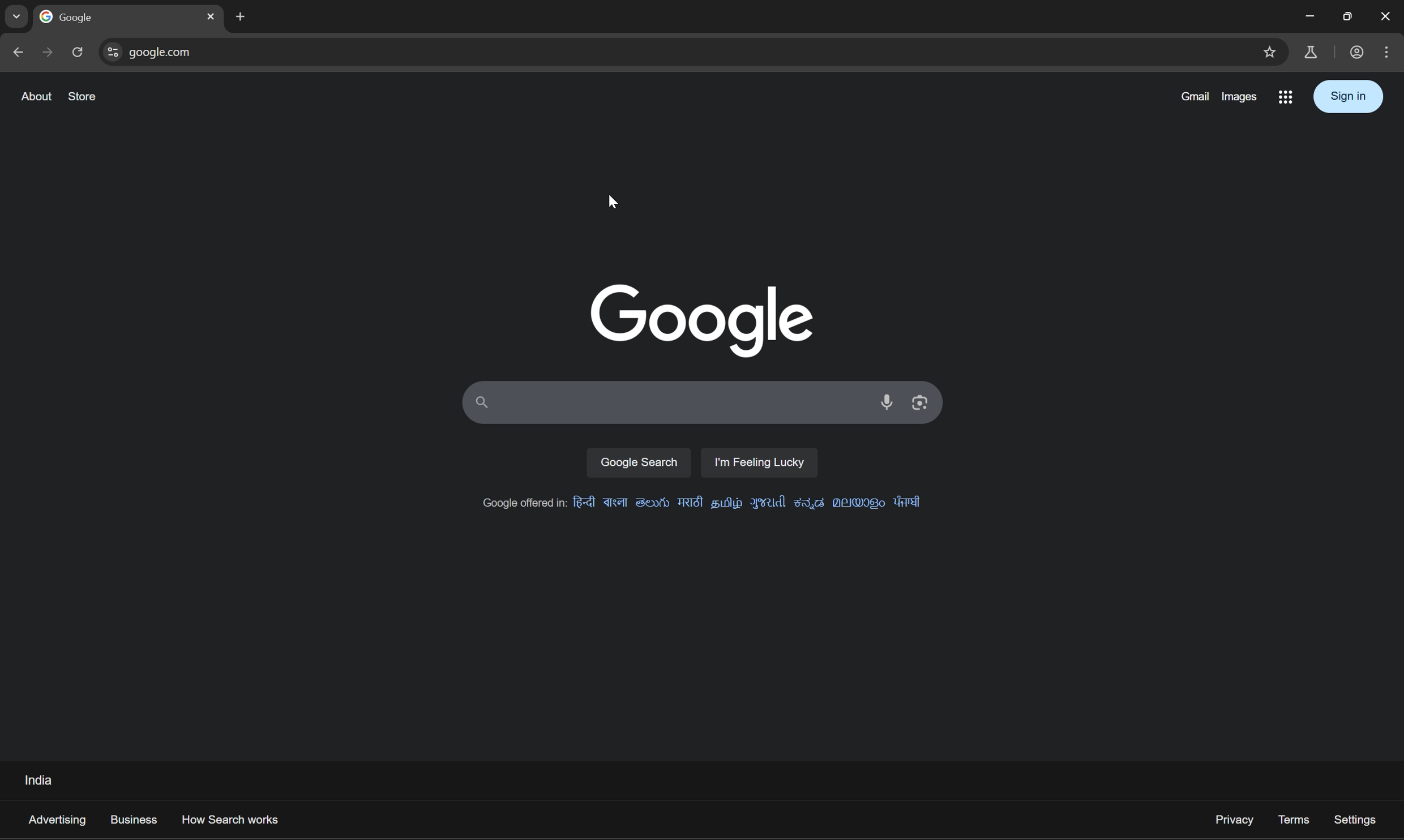 This screenshot has height=840, width=1404. I want to click on previous, so click(19, 53).